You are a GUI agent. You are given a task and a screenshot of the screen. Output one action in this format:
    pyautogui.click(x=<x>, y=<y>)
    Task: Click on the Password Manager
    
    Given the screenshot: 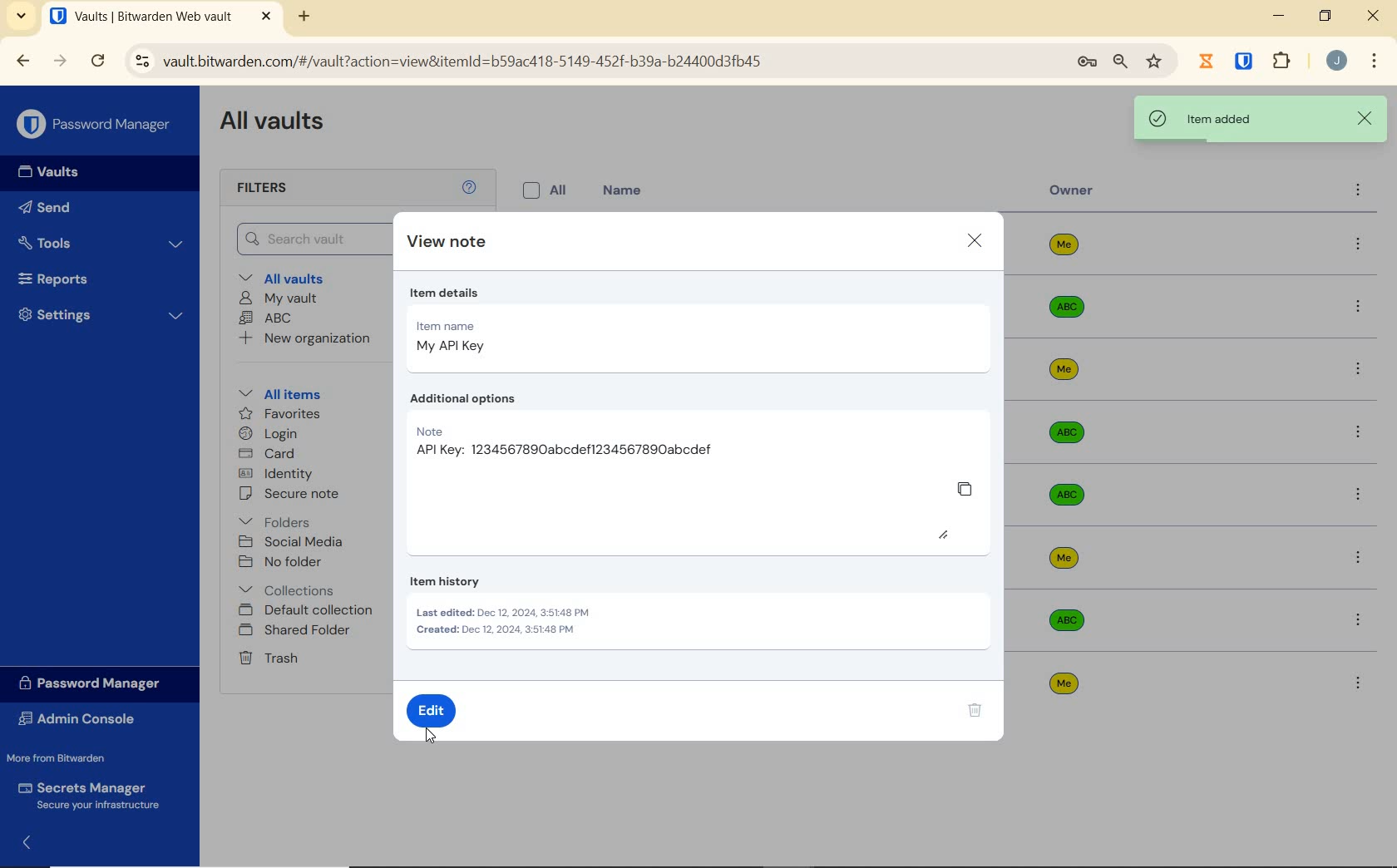 What is the action you would take?
    pyautogui.click(x=96, y=123)
    